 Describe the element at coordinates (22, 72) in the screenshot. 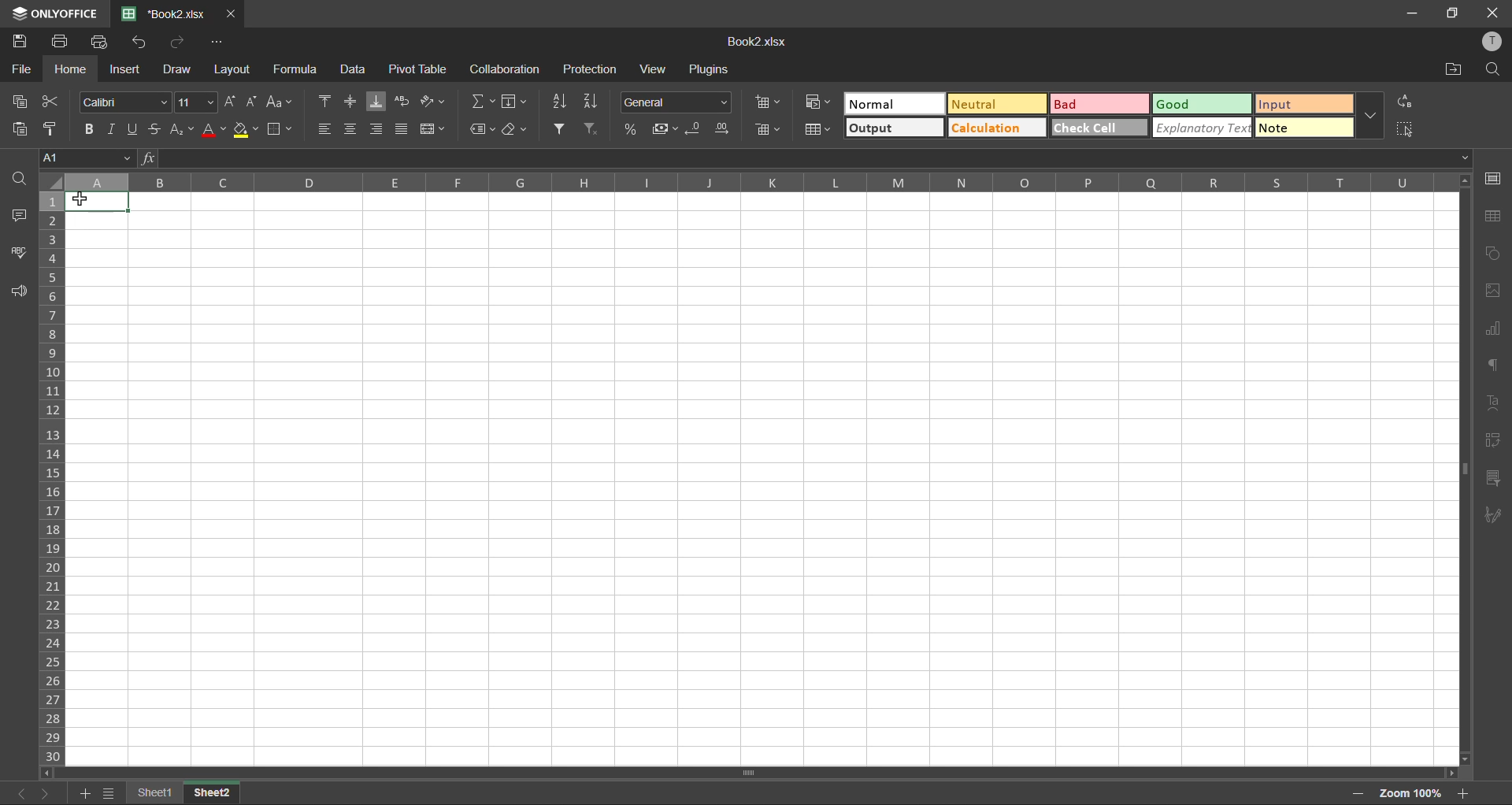

I see `file` at that location.